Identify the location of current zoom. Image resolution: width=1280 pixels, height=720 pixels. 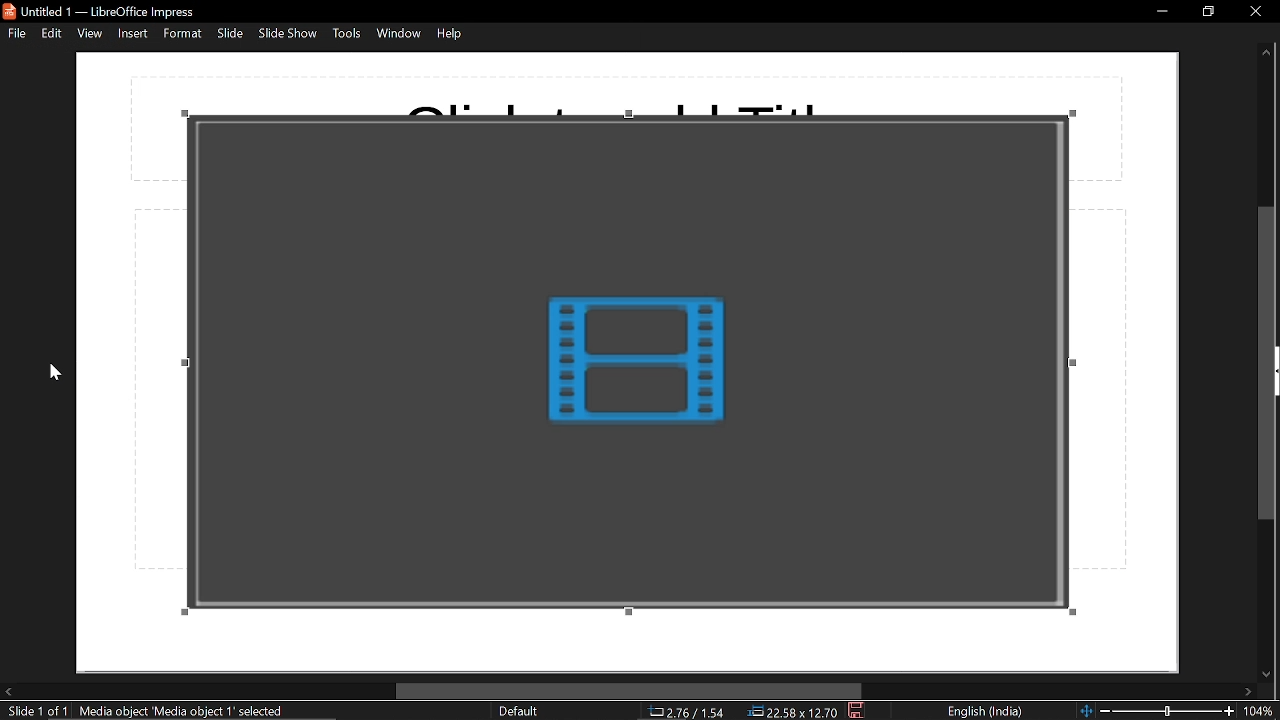
(1262, 711).